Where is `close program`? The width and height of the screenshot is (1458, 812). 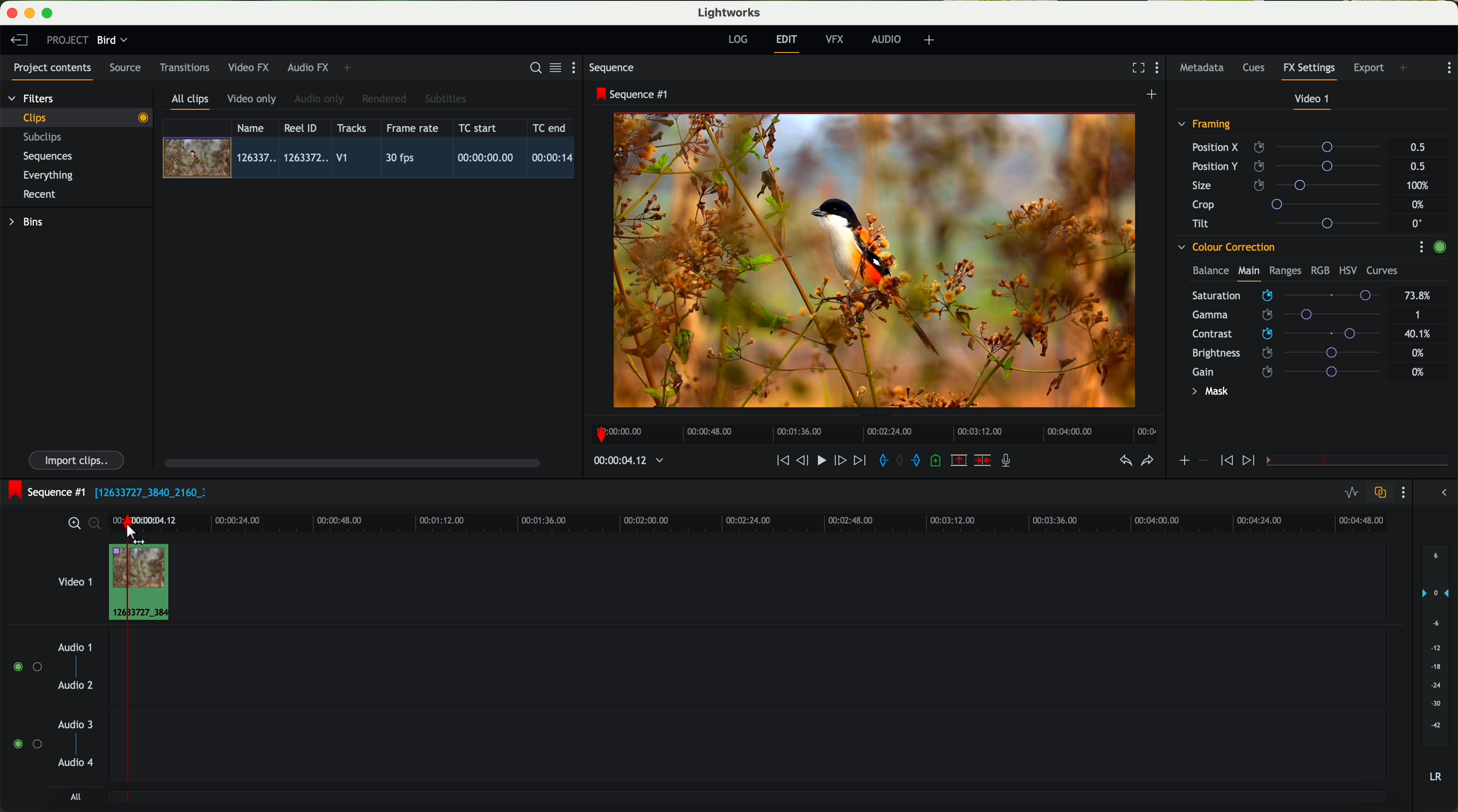 close program is located at coordinates (12, 13).